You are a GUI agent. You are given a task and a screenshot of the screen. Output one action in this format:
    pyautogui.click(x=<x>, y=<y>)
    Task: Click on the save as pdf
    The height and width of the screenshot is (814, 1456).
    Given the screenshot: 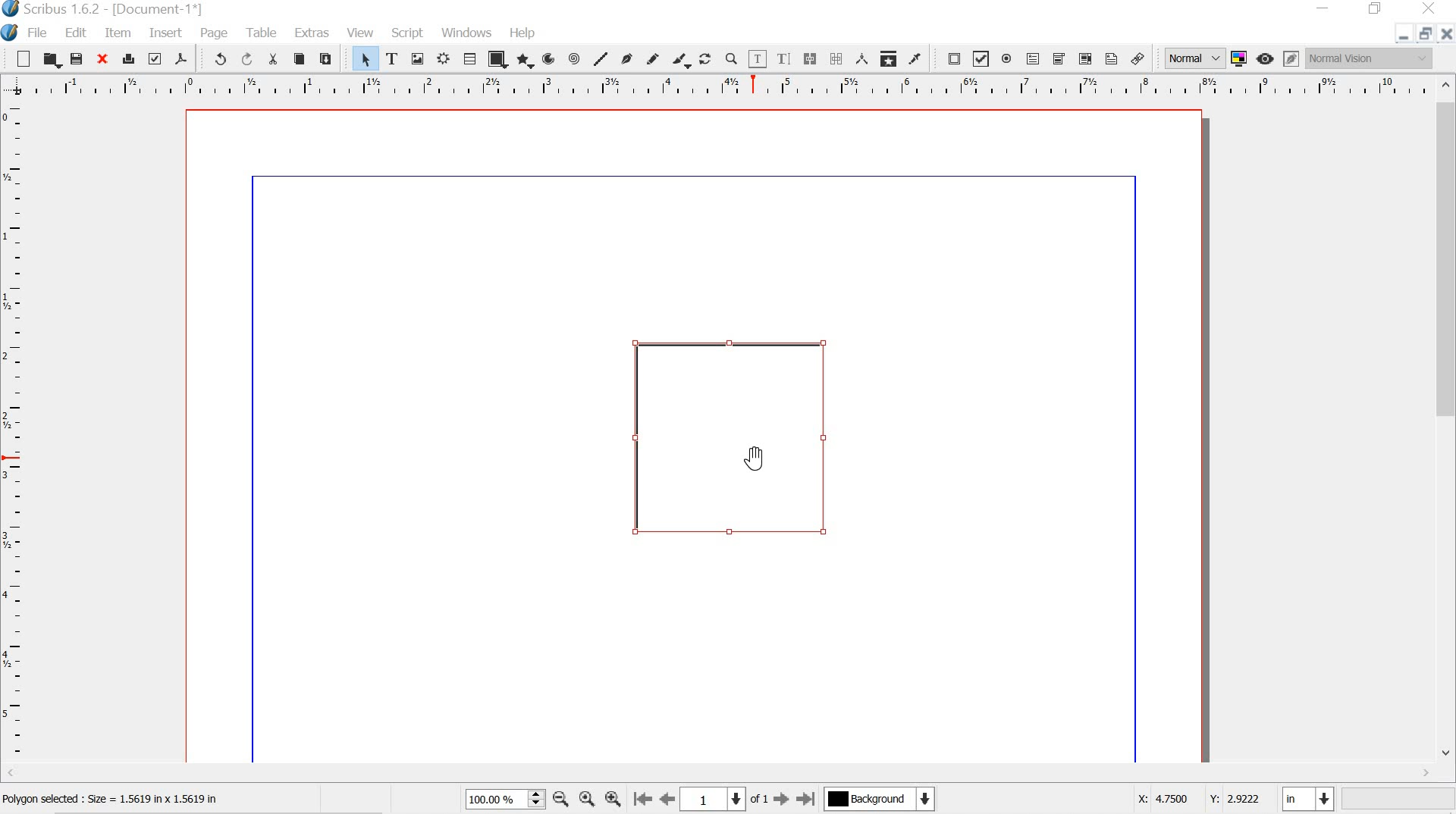 What is the action you would take?
    pyautogui.click(x=183, y=60)
    